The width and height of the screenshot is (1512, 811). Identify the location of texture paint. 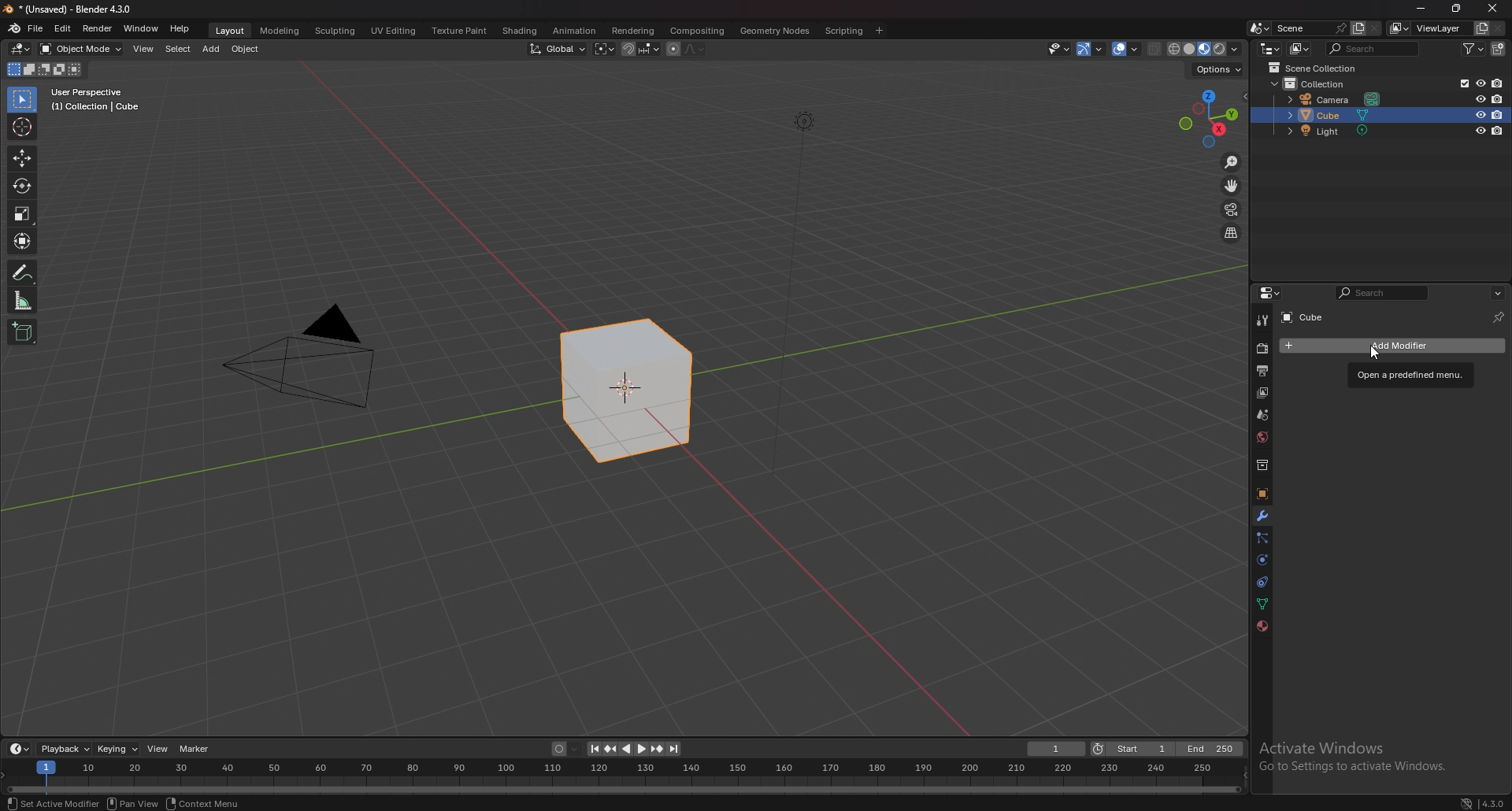
(460, 31).